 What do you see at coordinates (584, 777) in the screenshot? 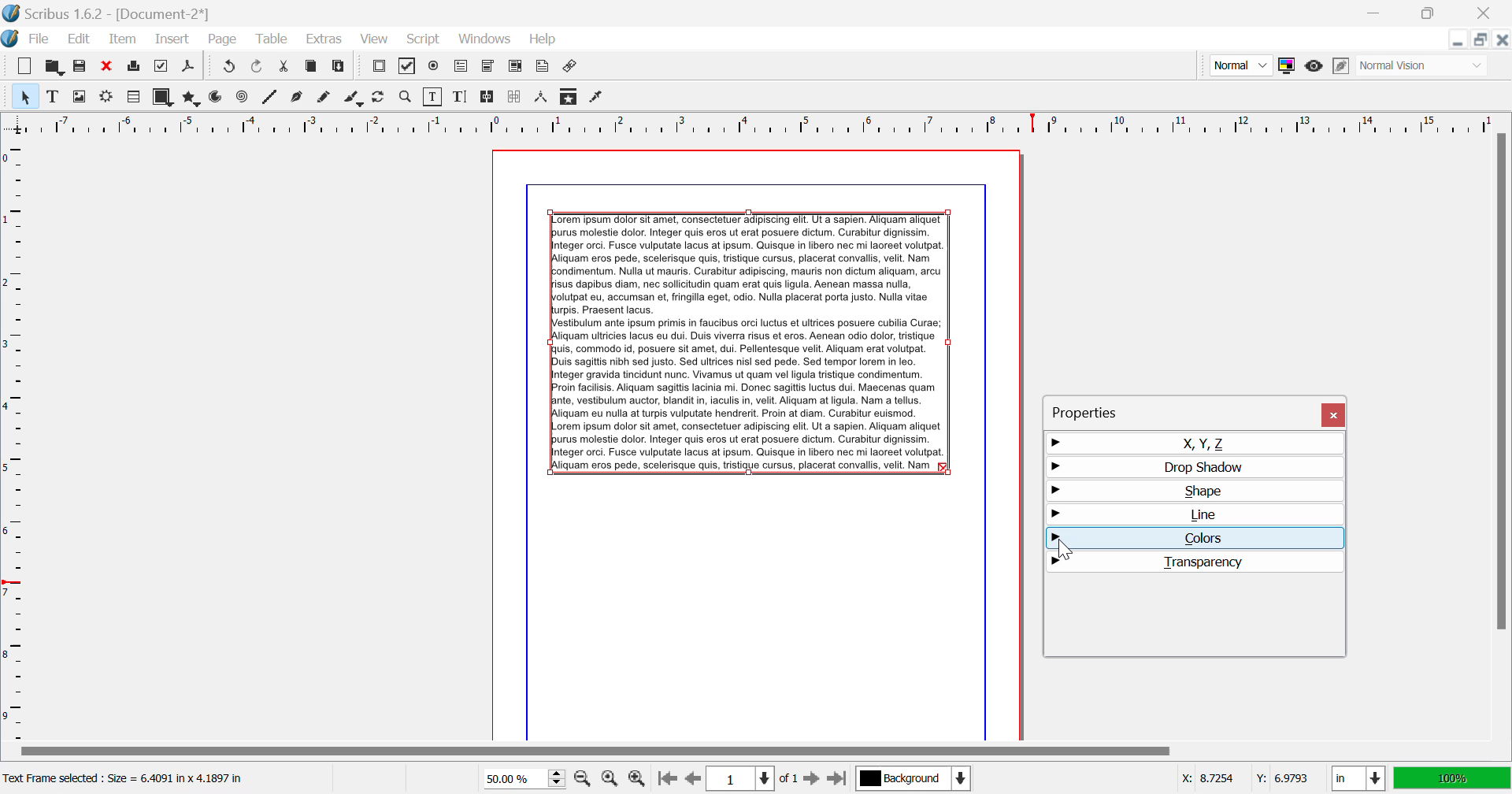
I see `Zoom Out` at bounding box center [584, 777].